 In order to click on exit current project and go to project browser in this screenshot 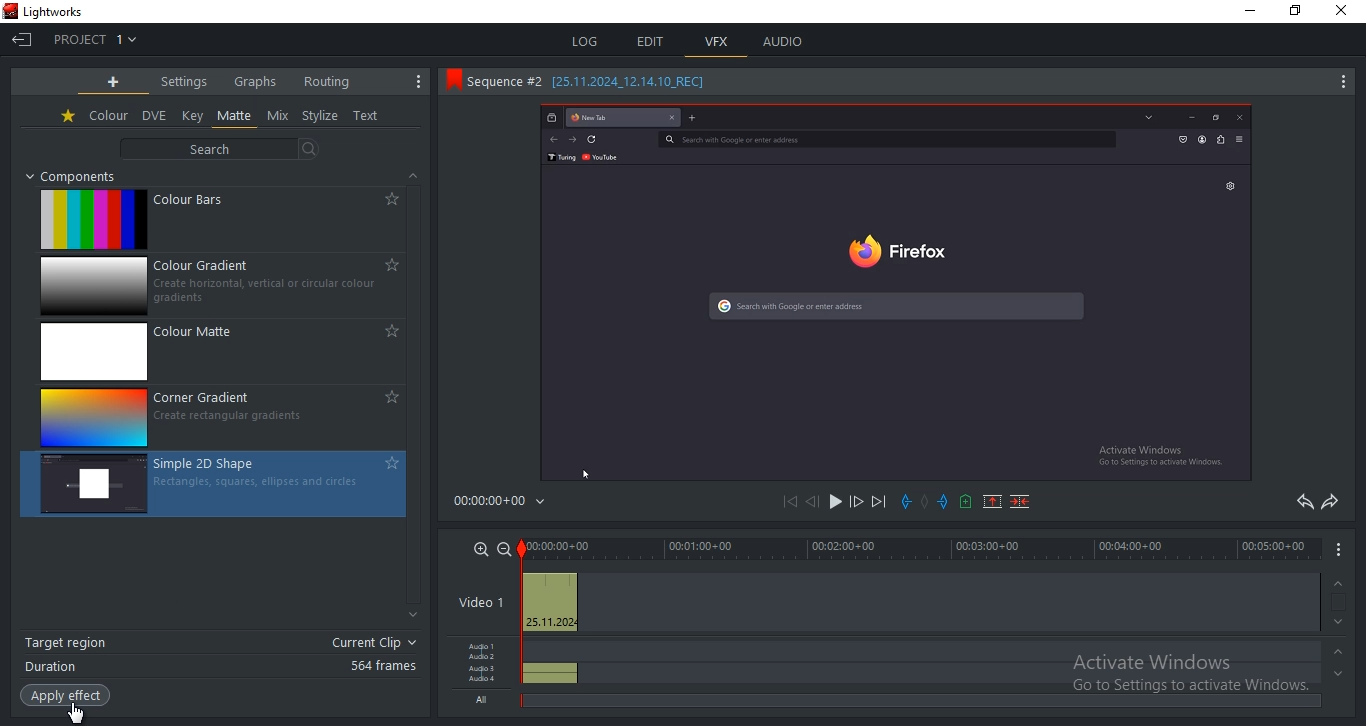, I will do `click(23, 41)`.